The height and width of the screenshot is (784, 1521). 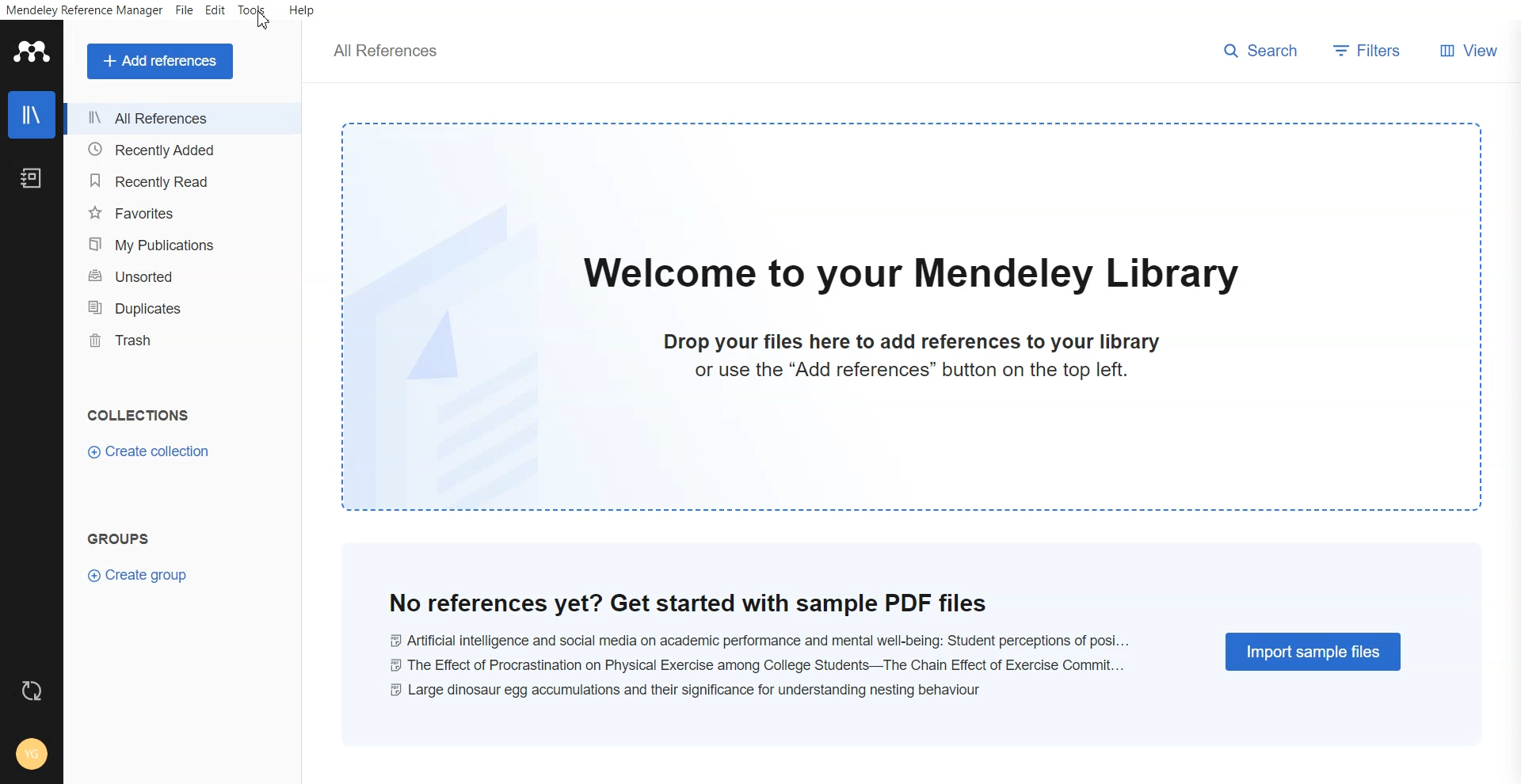 I want to click on My Publication, so click(x=182, y=244).